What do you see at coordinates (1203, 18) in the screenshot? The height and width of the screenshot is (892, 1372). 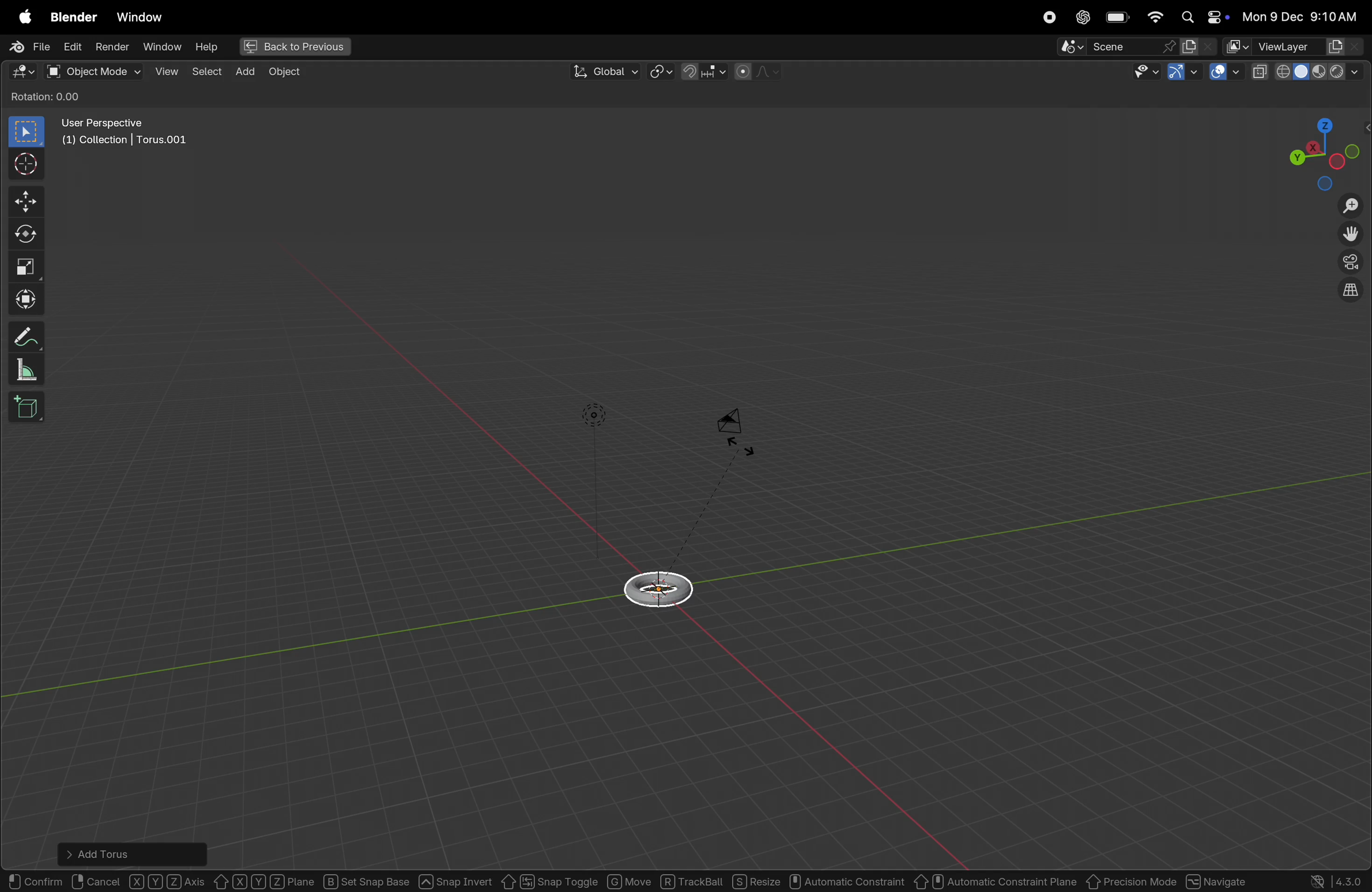 I see `apple widgets` at bounding box center [1203, 18].